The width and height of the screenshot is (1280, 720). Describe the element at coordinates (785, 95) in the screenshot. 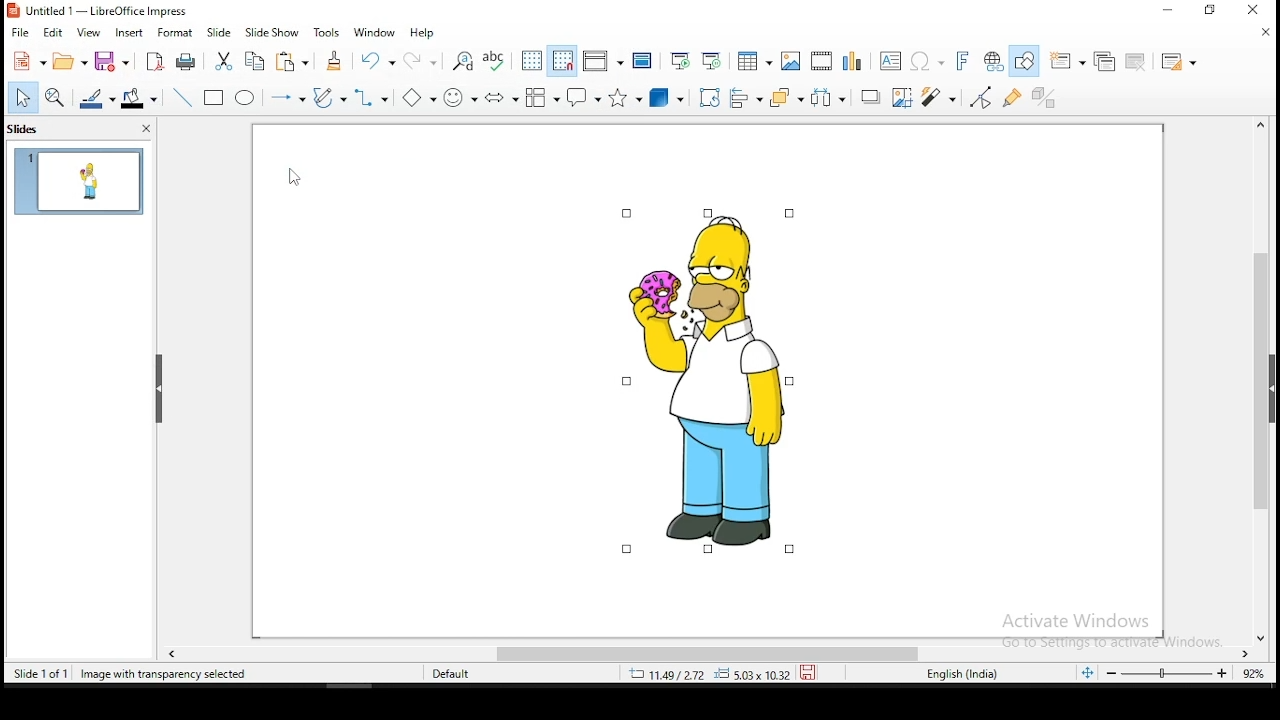

I see `arrange` at that location.